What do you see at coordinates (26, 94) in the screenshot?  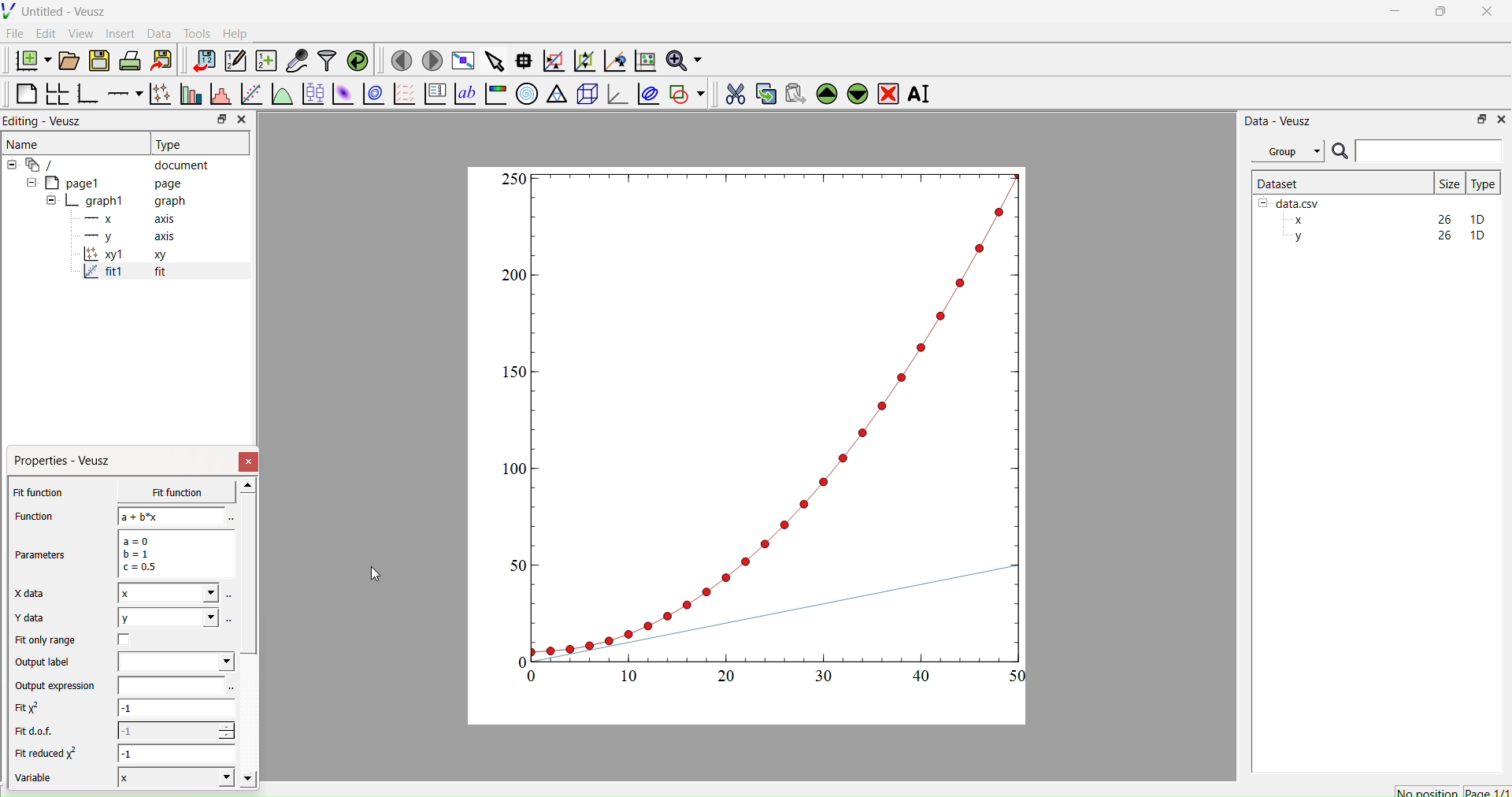 I see `Blank Page` at bounding box center [26, 94].